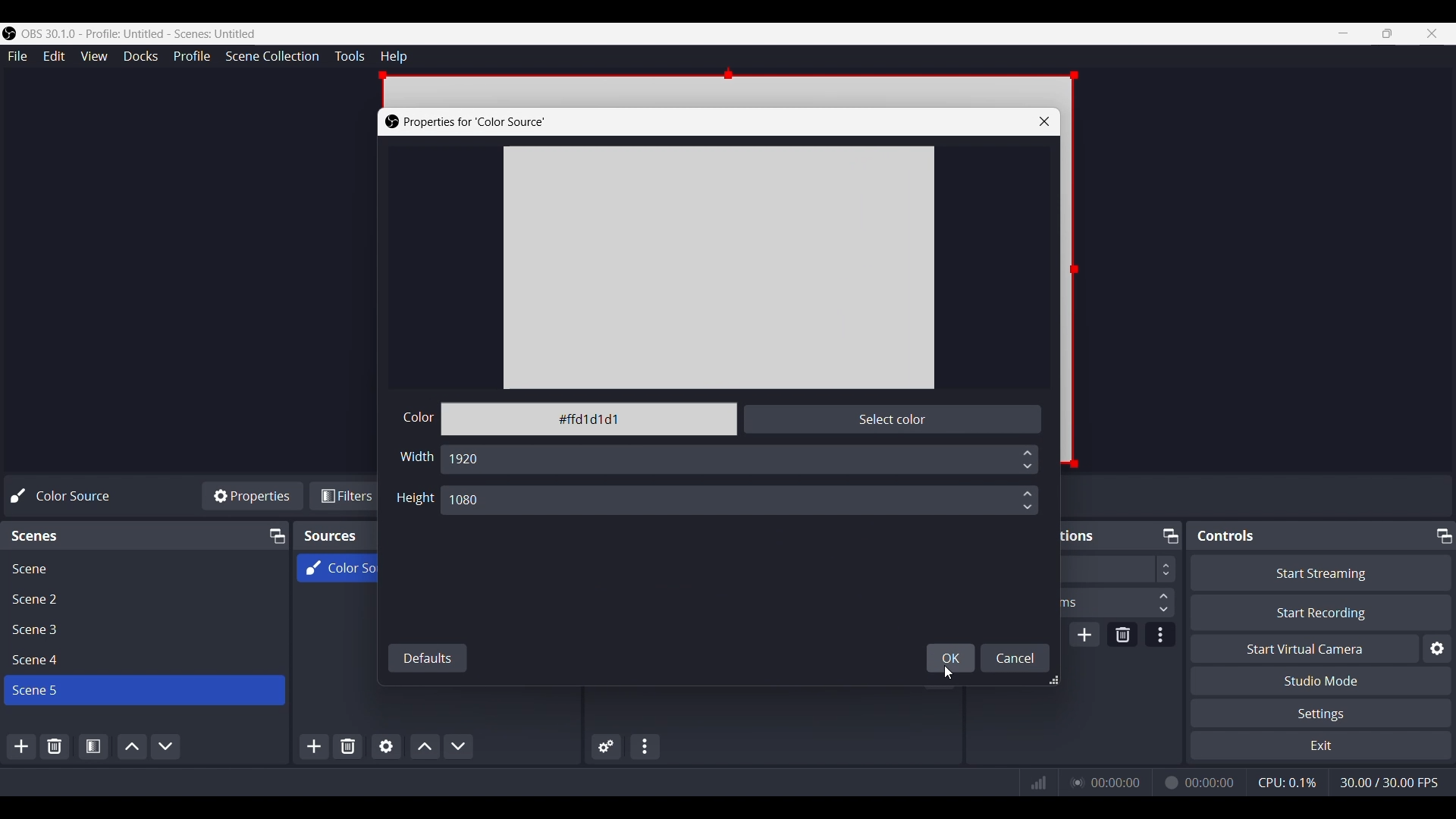  I want to click on Type width of Color Source canvas, so click(416, 458).